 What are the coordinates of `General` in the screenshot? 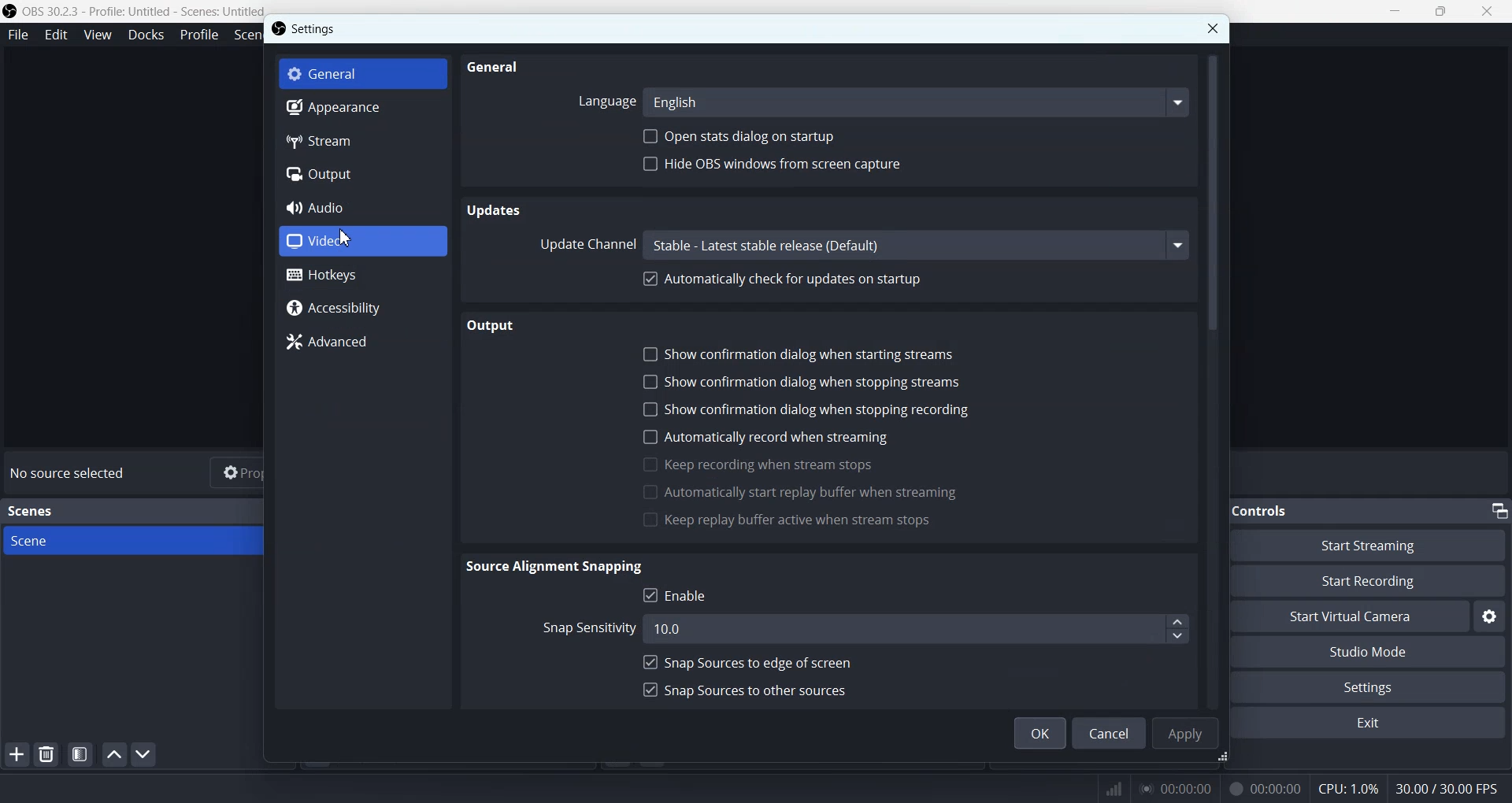 It's located at (497, 67).